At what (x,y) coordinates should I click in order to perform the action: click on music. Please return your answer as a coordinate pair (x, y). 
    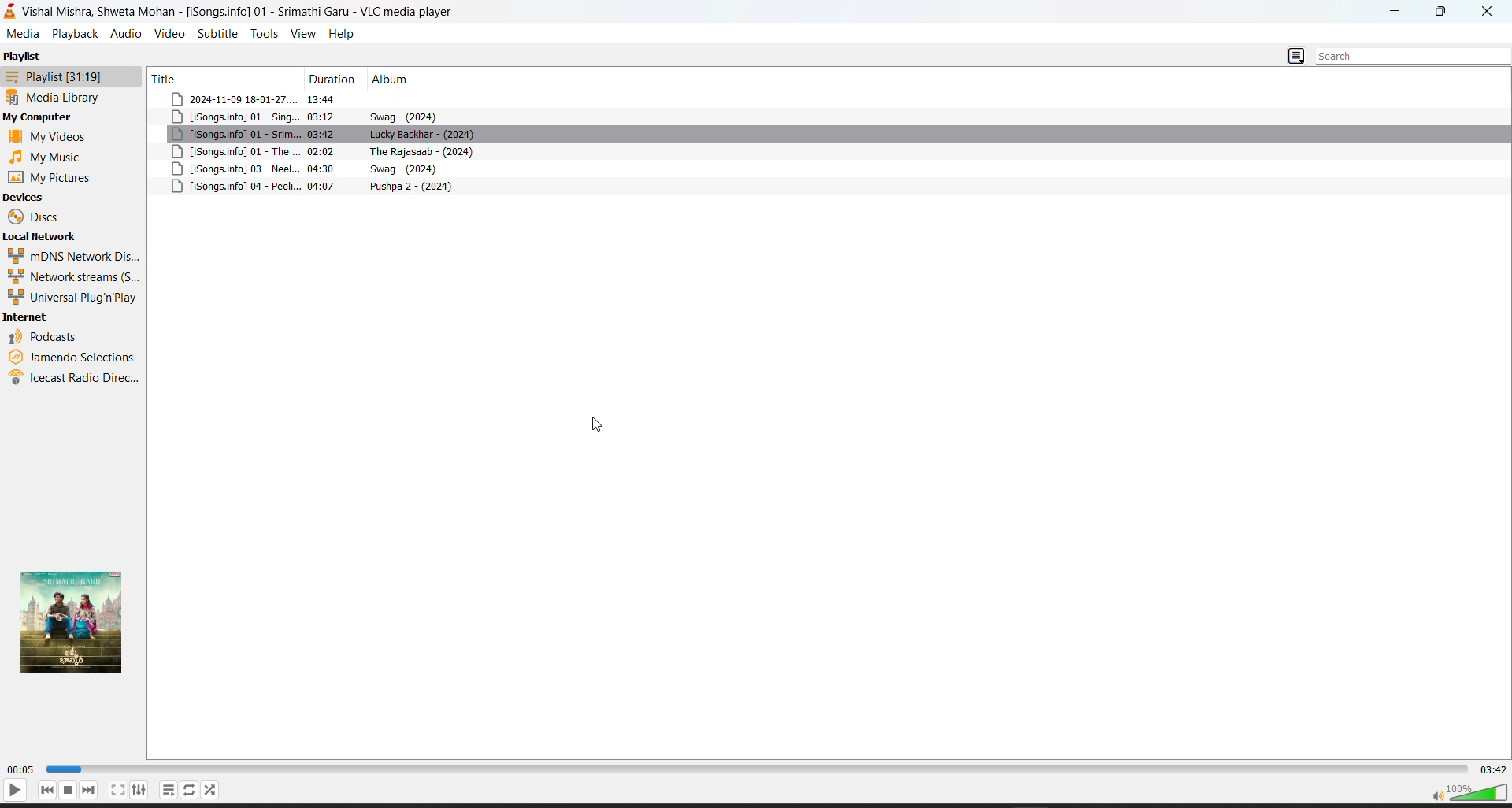
    Looking at the image, I should click on (51, 157).